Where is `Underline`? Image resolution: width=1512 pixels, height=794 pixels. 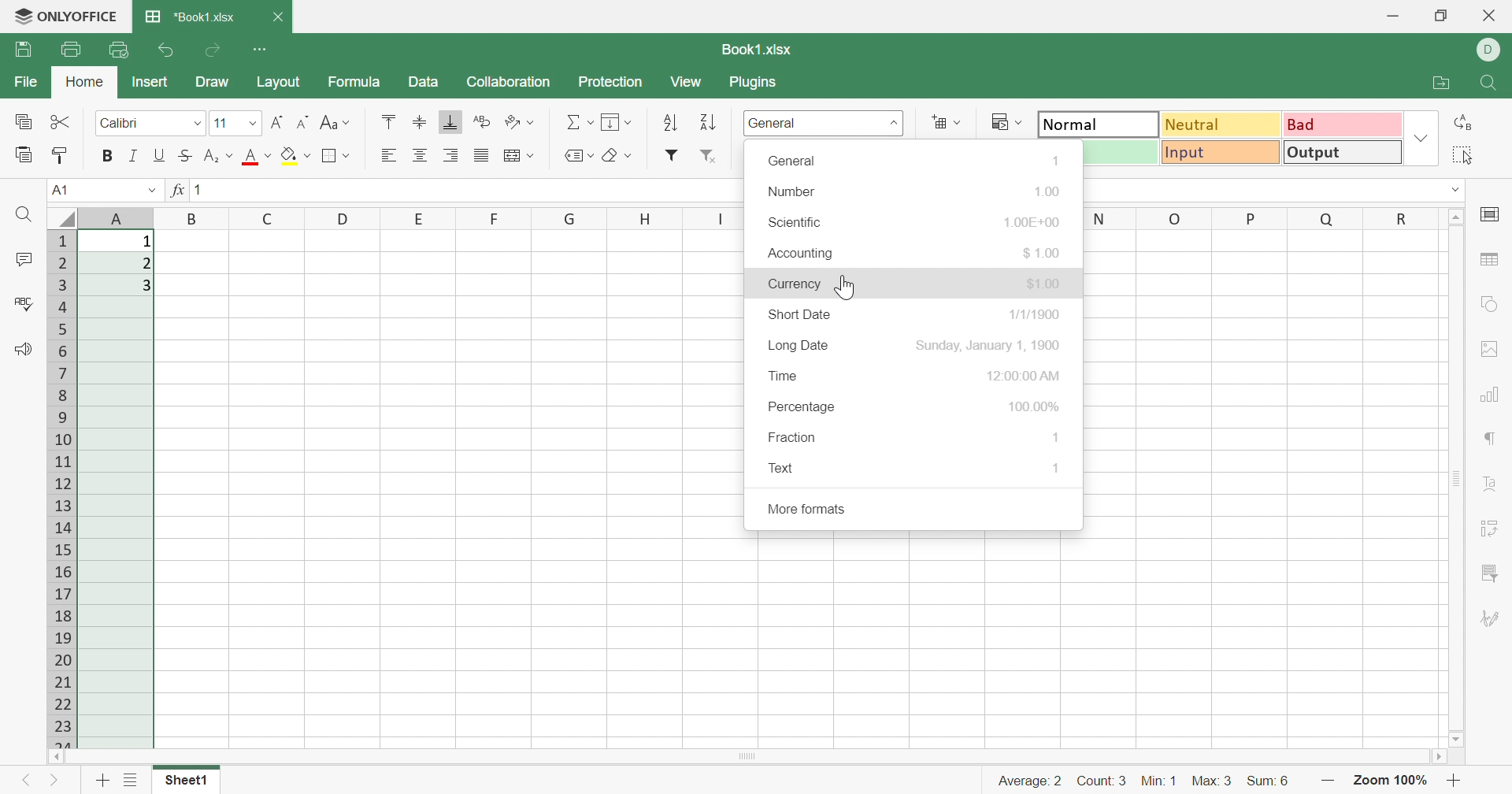 Underline is located at coordinates (158, 155).